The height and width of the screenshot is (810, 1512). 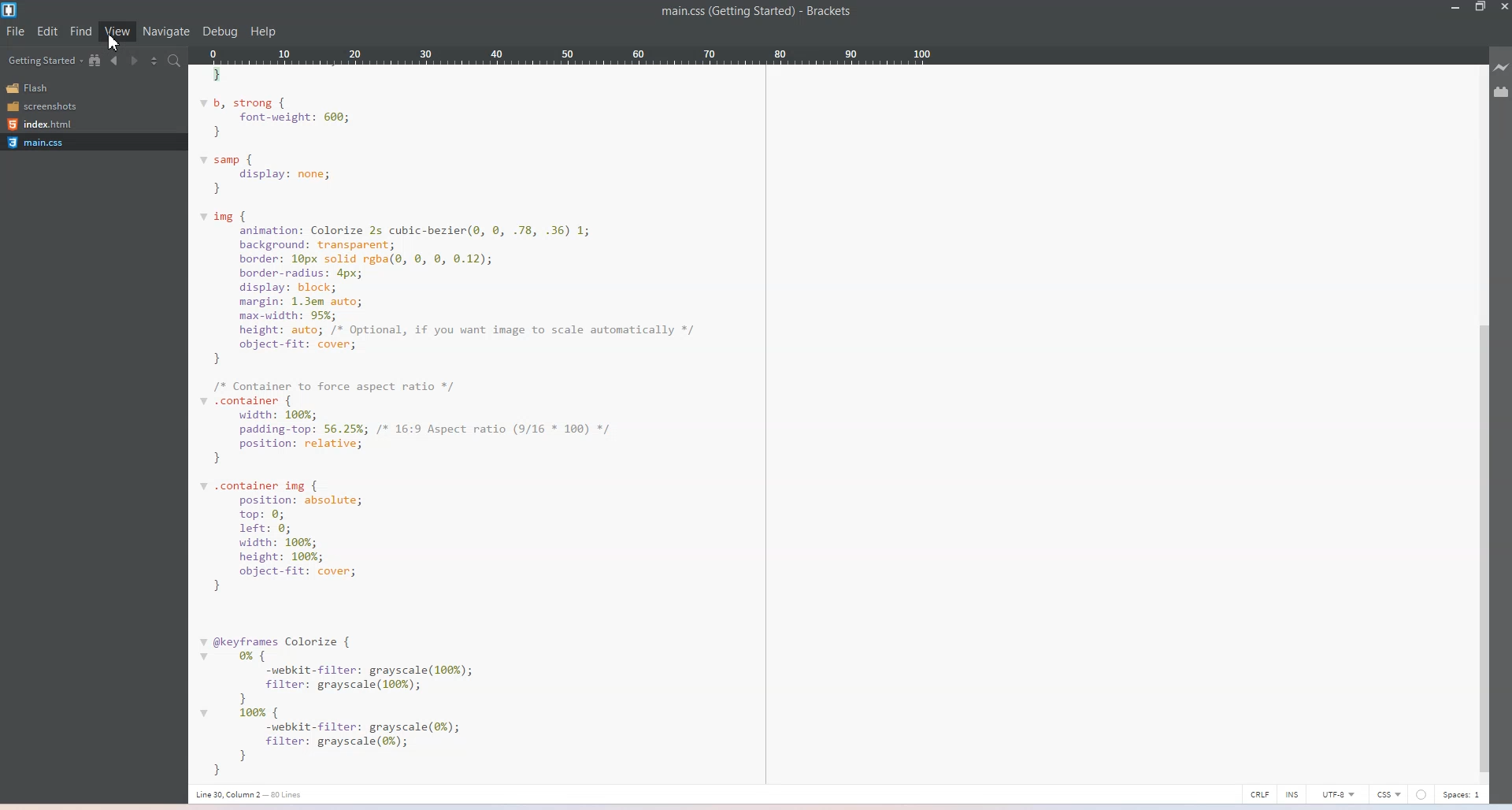 What do you see at coordinates (1502, 92) in the screenshot?
I see `Extension Manager` at bounding box center [1502, 92].